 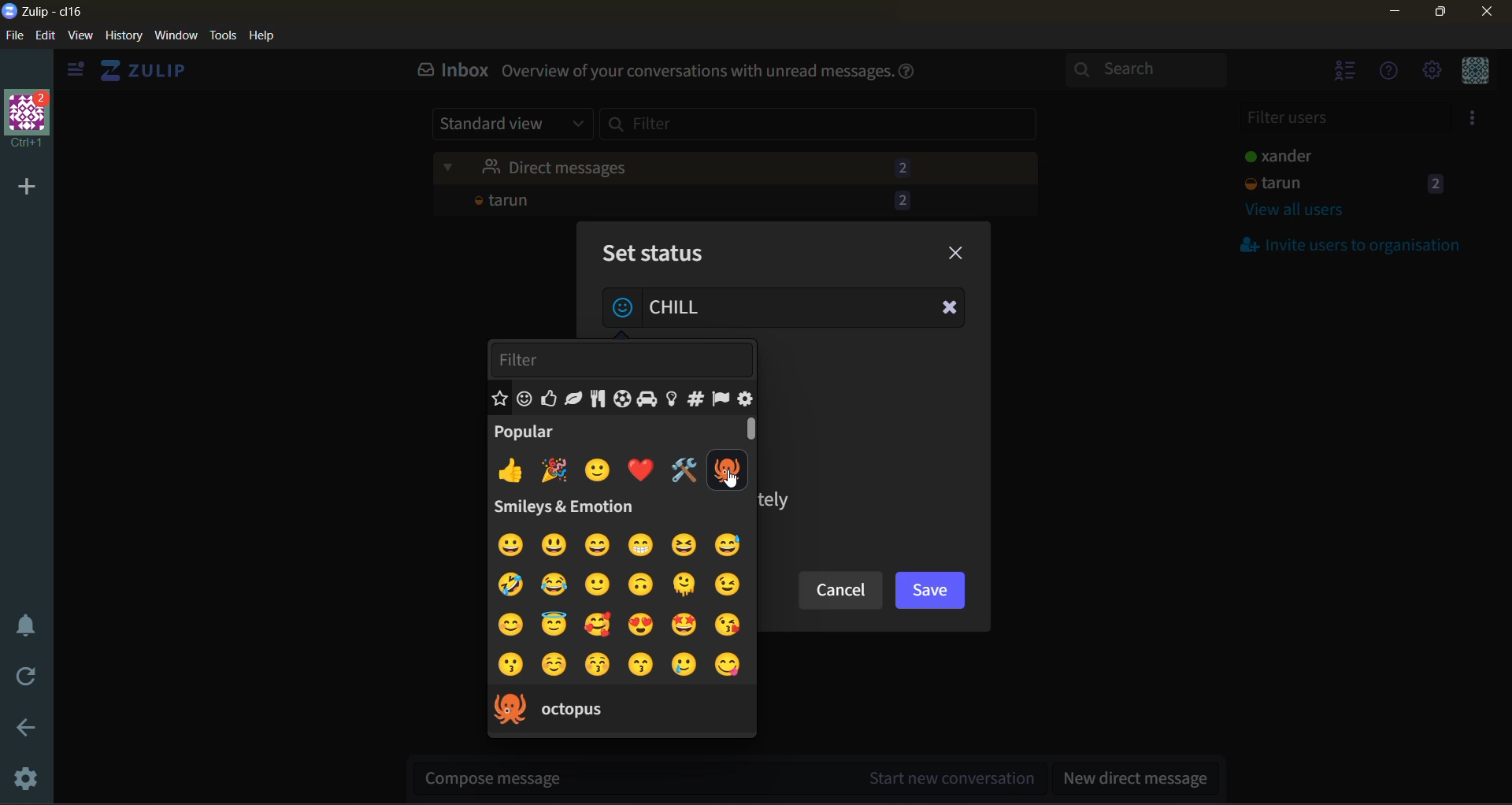 What do you see at coordinates (647, 400) in the screenshot?
I see `emoji` at bounding box center [647, 400].